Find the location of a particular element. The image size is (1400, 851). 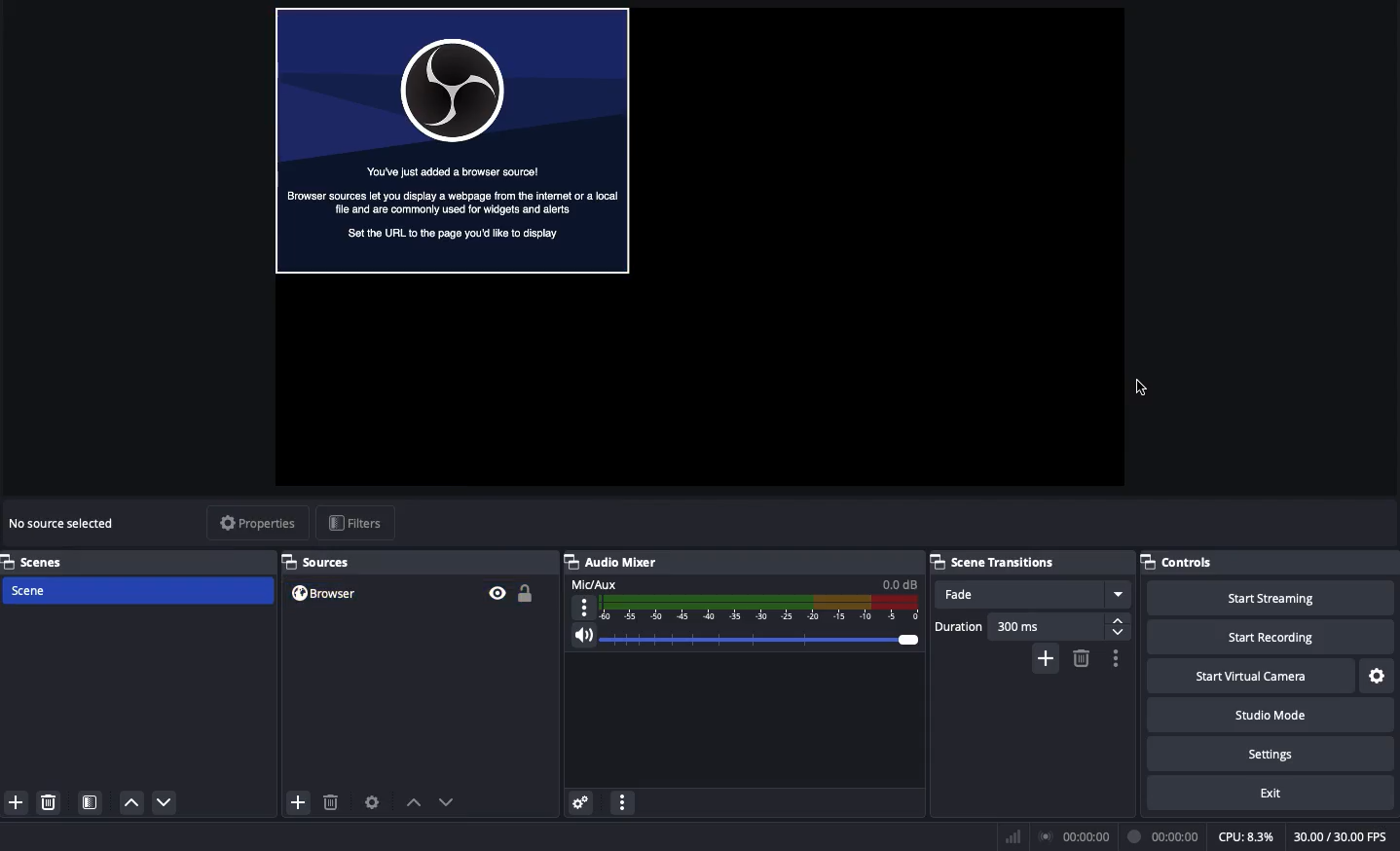

Scene is located at coordinates (137, 591).